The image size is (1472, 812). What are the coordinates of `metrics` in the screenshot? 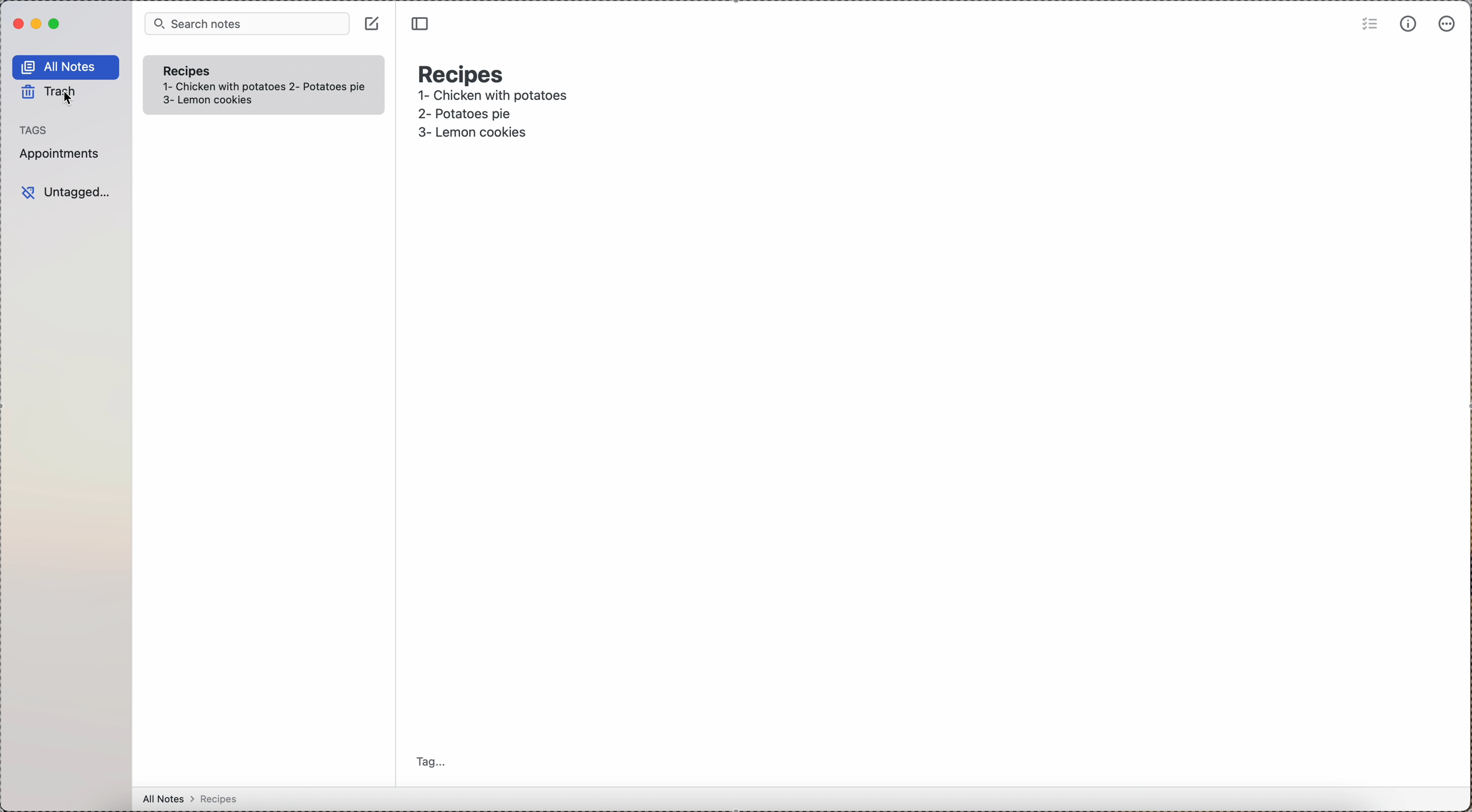 It's located at (1409, 24).